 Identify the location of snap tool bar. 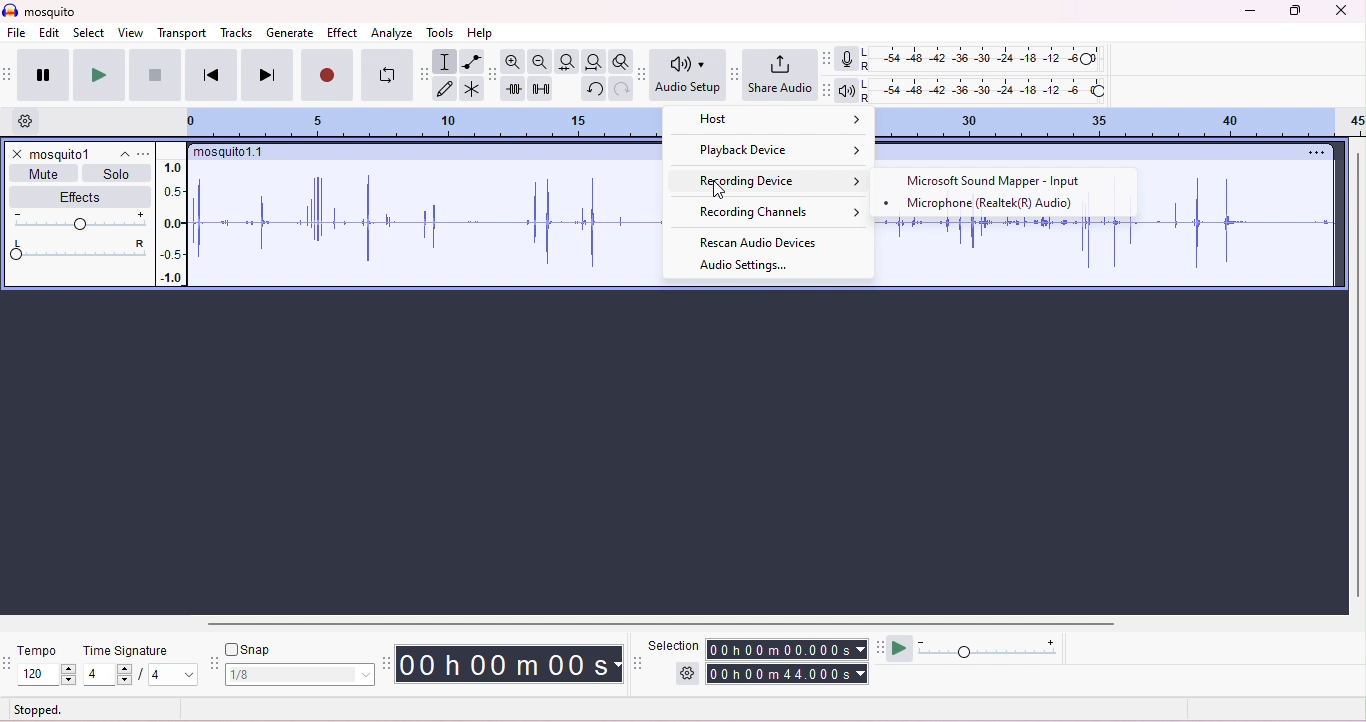
(215, 665).